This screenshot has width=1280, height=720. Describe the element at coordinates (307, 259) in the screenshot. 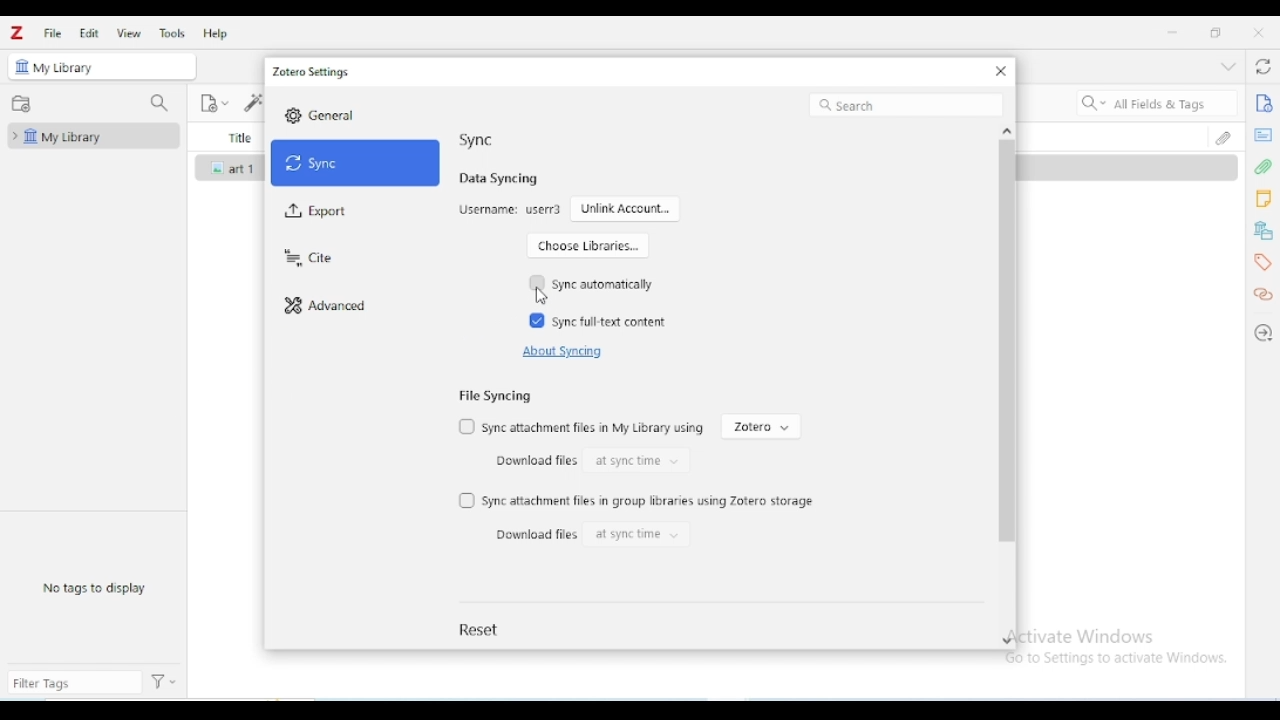

I see `cite` at that location.